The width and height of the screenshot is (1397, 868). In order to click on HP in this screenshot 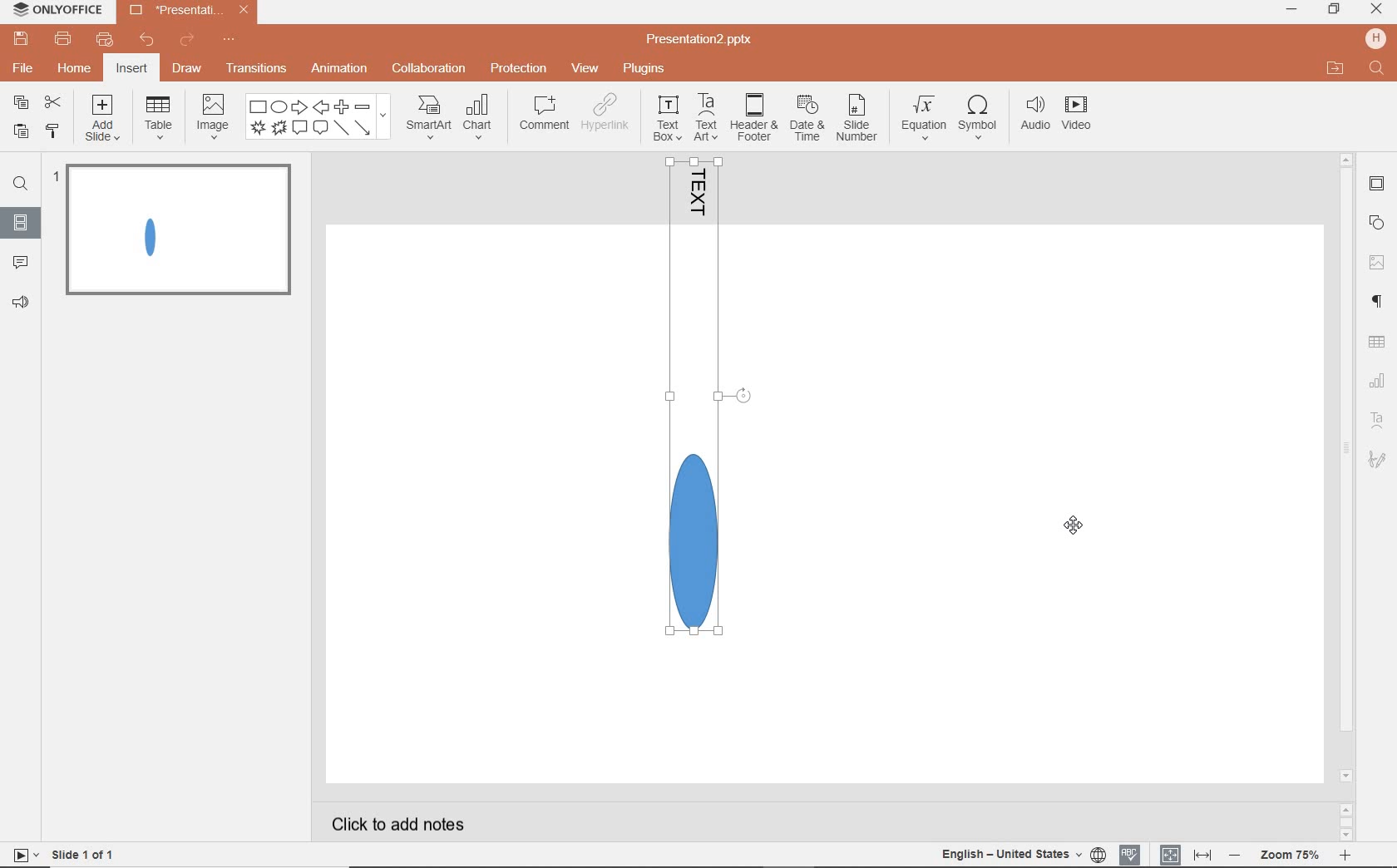, I will do `click(1377, 38)`.